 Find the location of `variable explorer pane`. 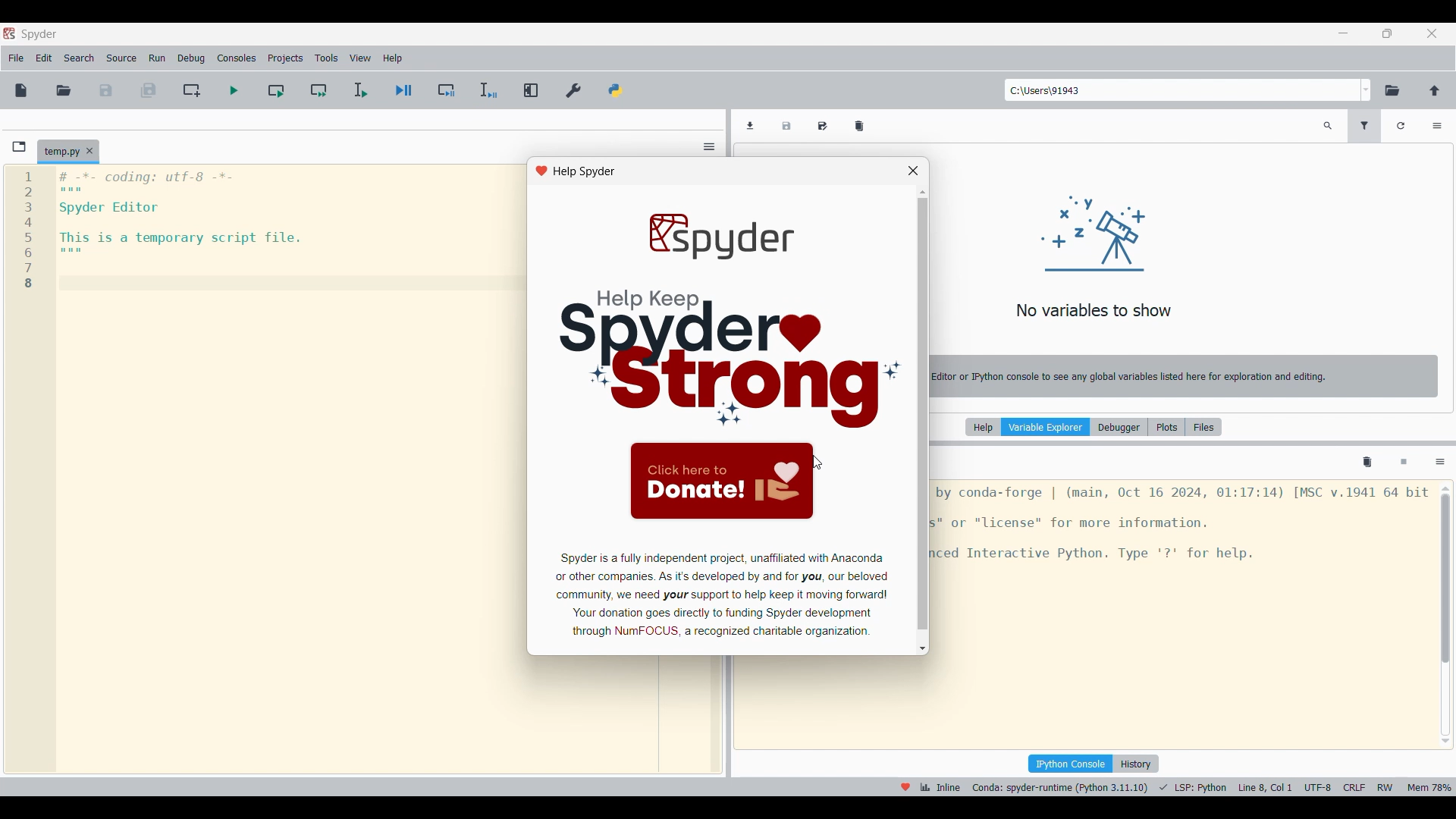

variable explorer pane is located at coordinates (1131, 261).